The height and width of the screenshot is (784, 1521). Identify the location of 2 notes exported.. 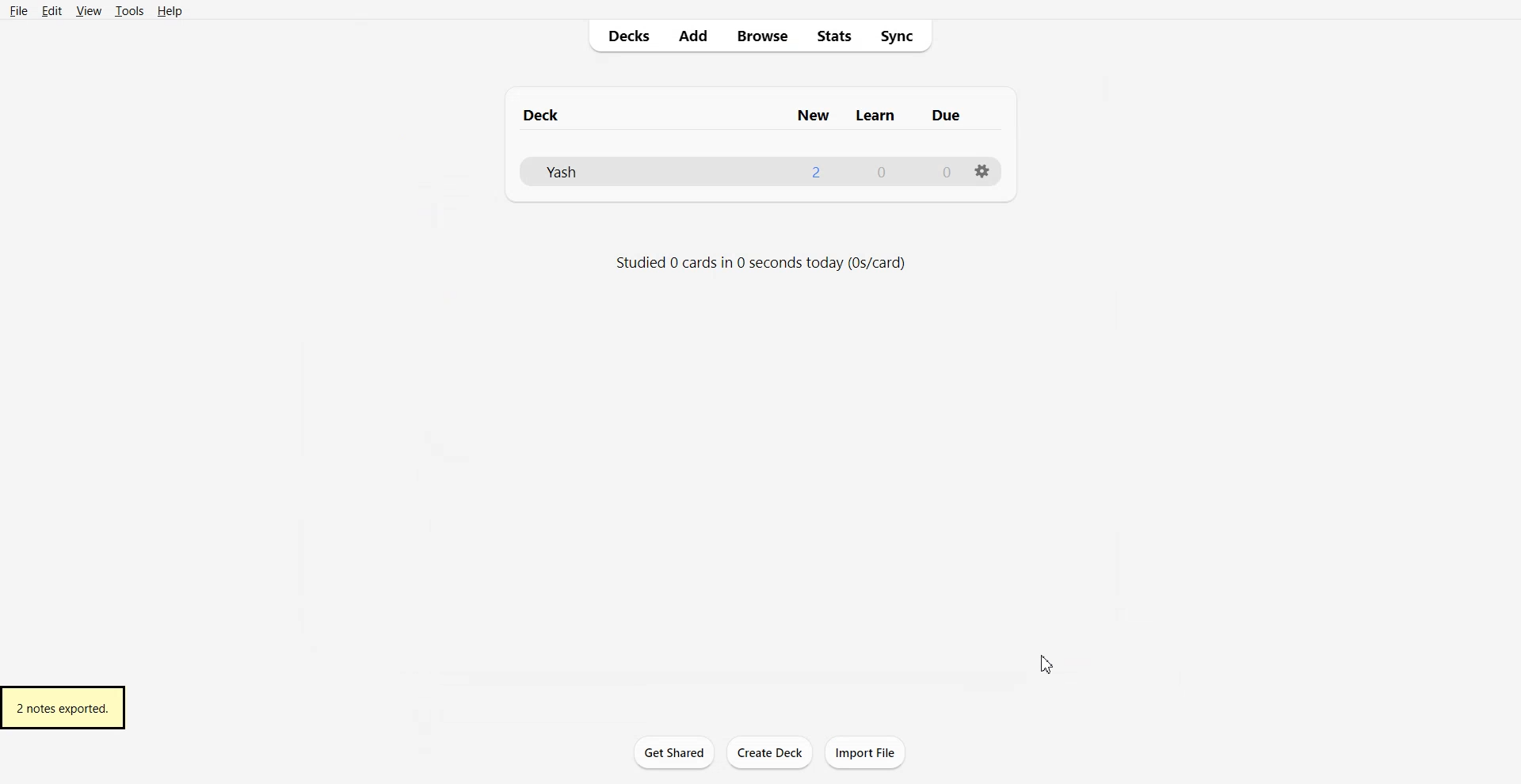
(64, 708).